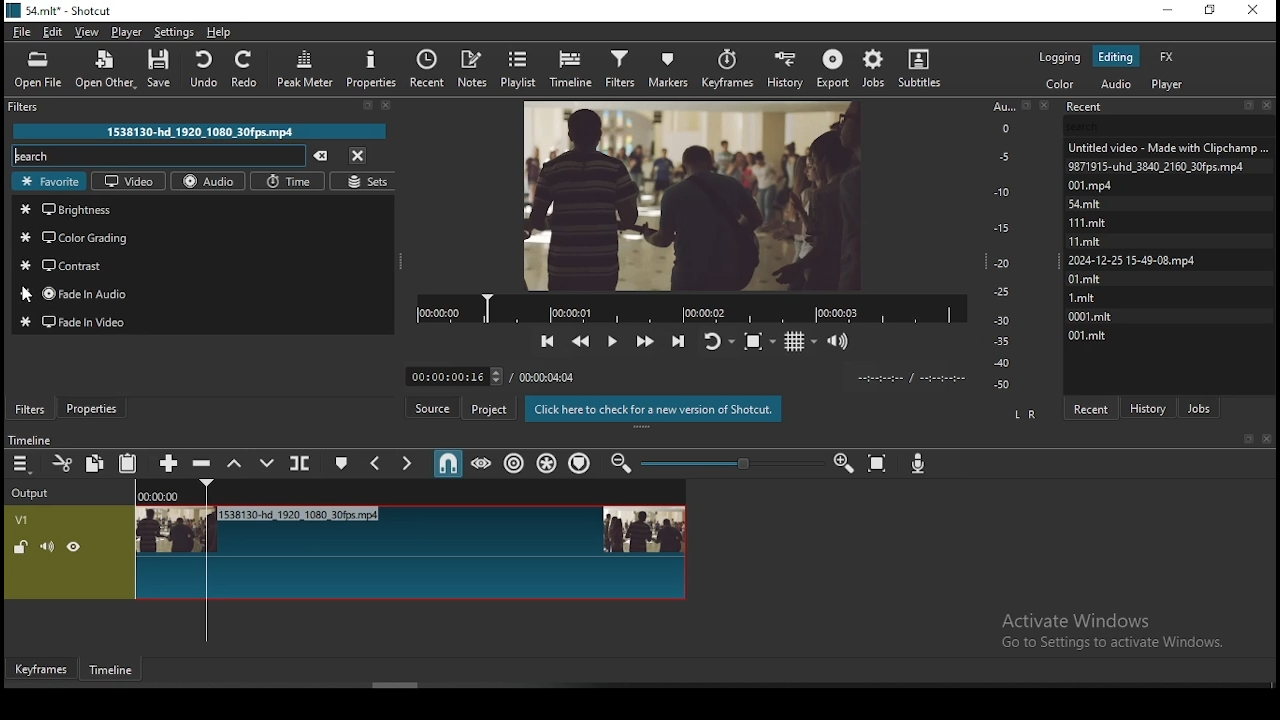 The image size is (1280, 720). I want to click on zoom timeline out, so click(843, 466).